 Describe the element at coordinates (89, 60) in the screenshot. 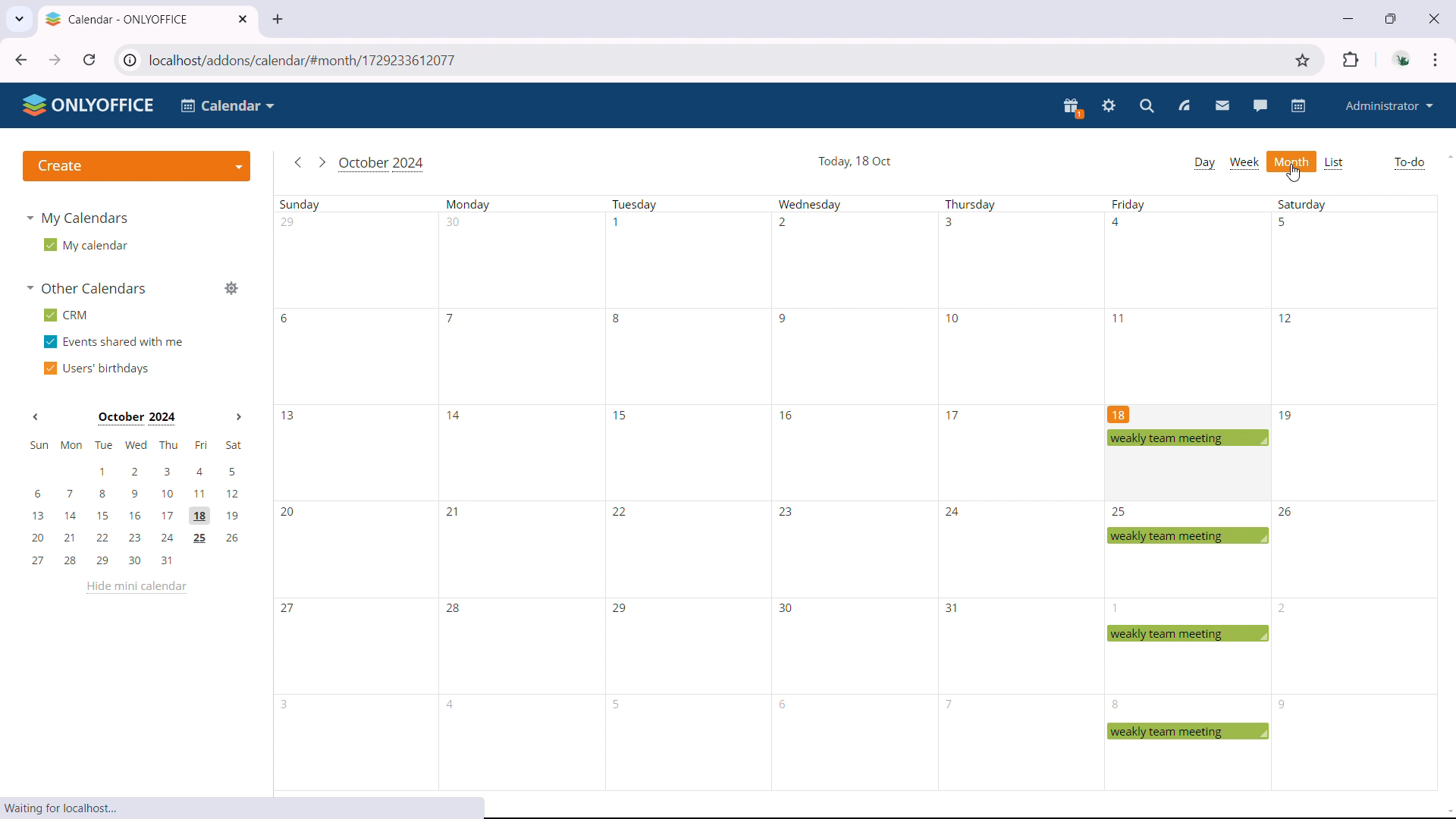

I see `refresh` at that location.